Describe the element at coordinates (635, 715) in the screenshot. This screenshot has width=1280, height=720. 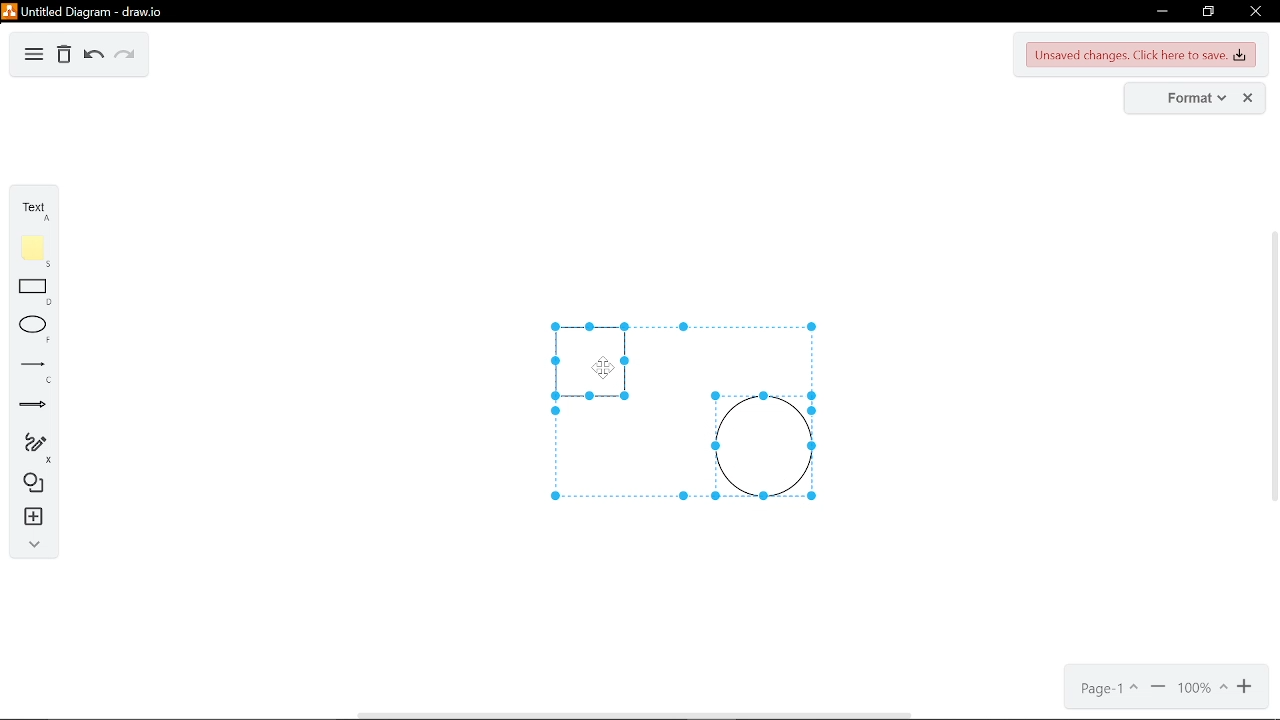
I see `horizontal scrollbar` at that location.